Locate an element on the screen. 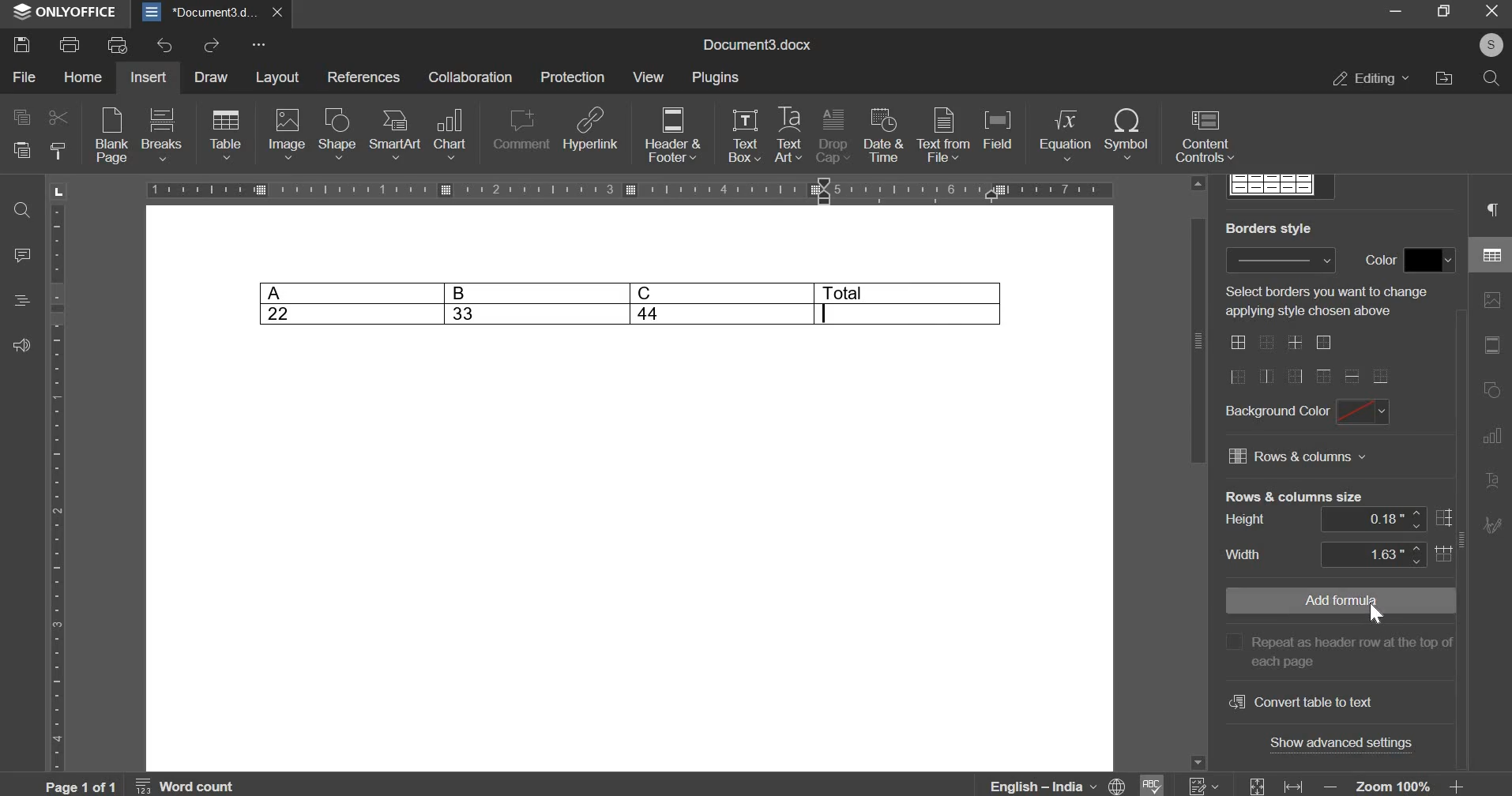 This screenshot has width=1512, height=796. slide settings is located at coordinates (1491, 344).